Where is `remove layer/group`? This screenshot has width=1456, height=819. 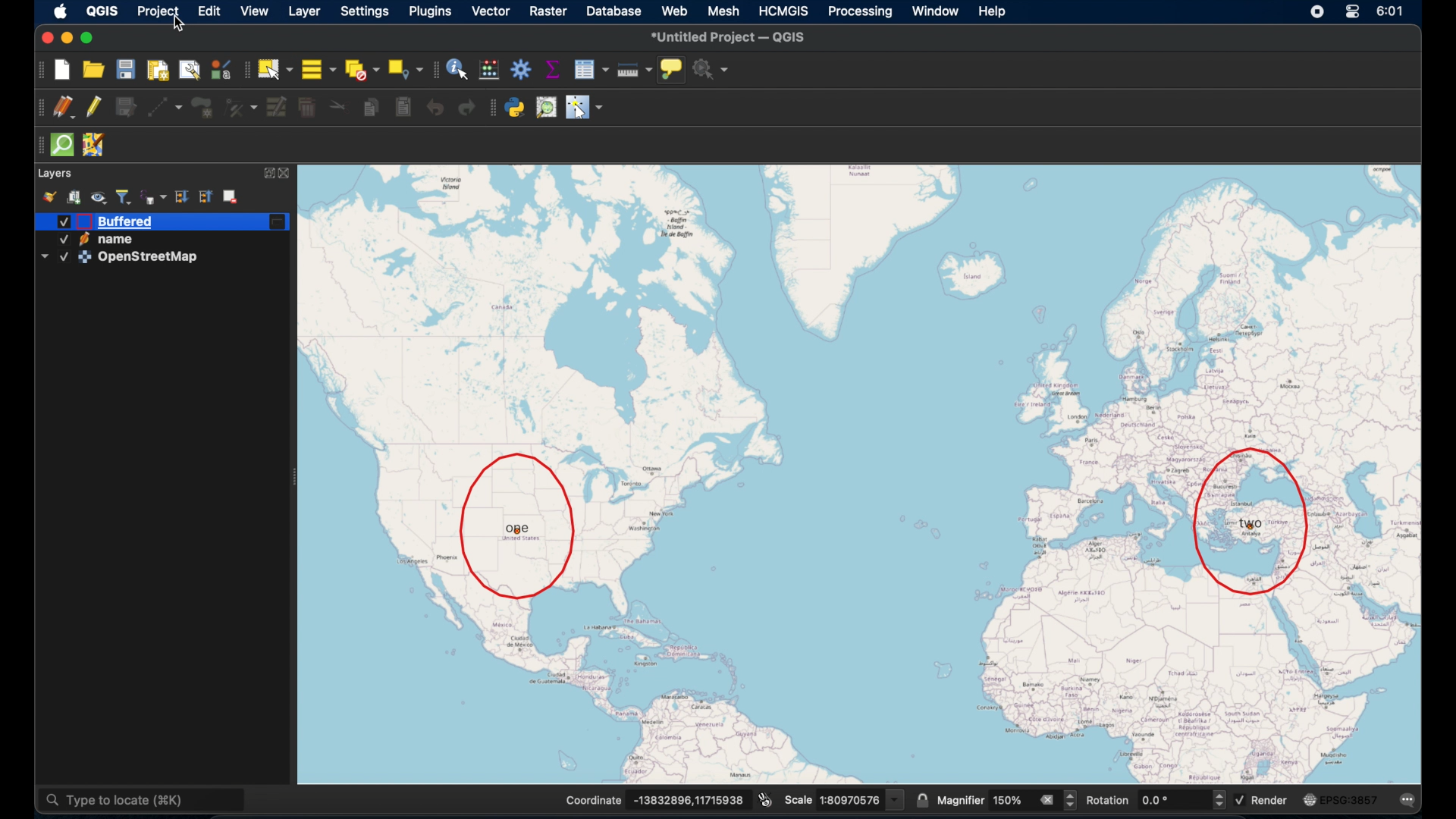 remove layer/group is located at coordinates (234, 197).